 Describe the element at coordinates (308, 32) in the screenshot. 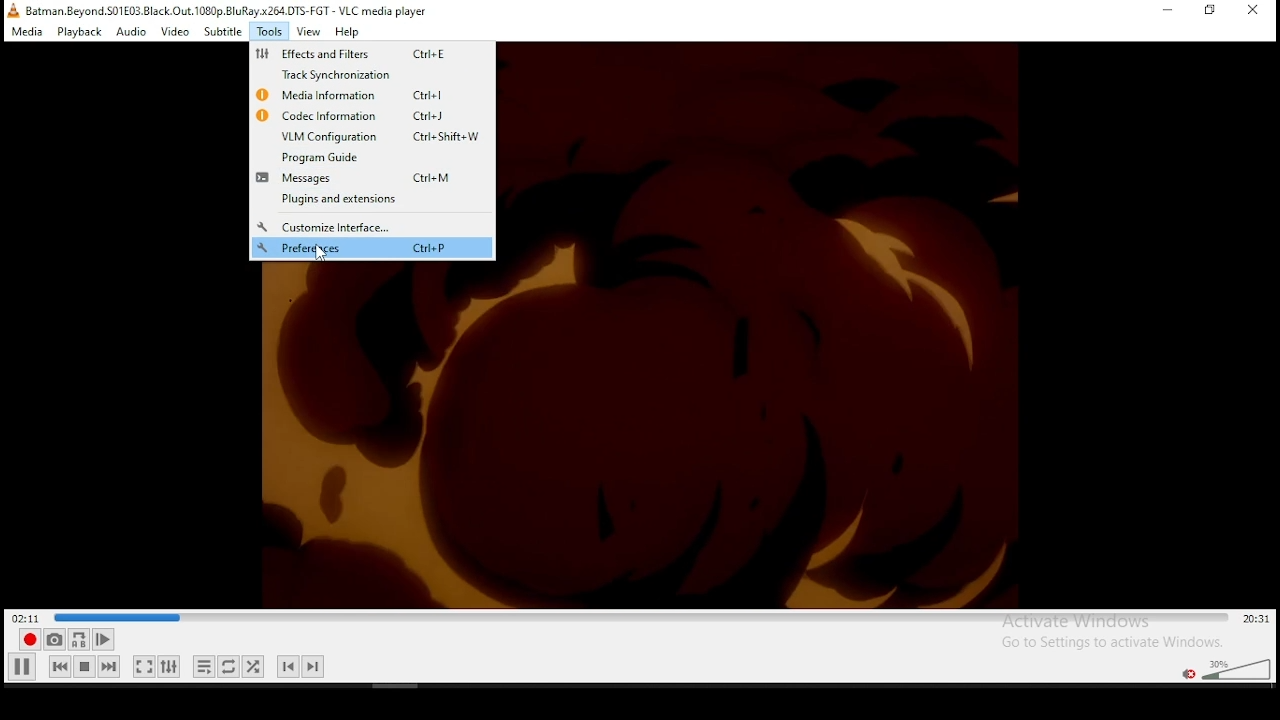

I see `view` at that location.